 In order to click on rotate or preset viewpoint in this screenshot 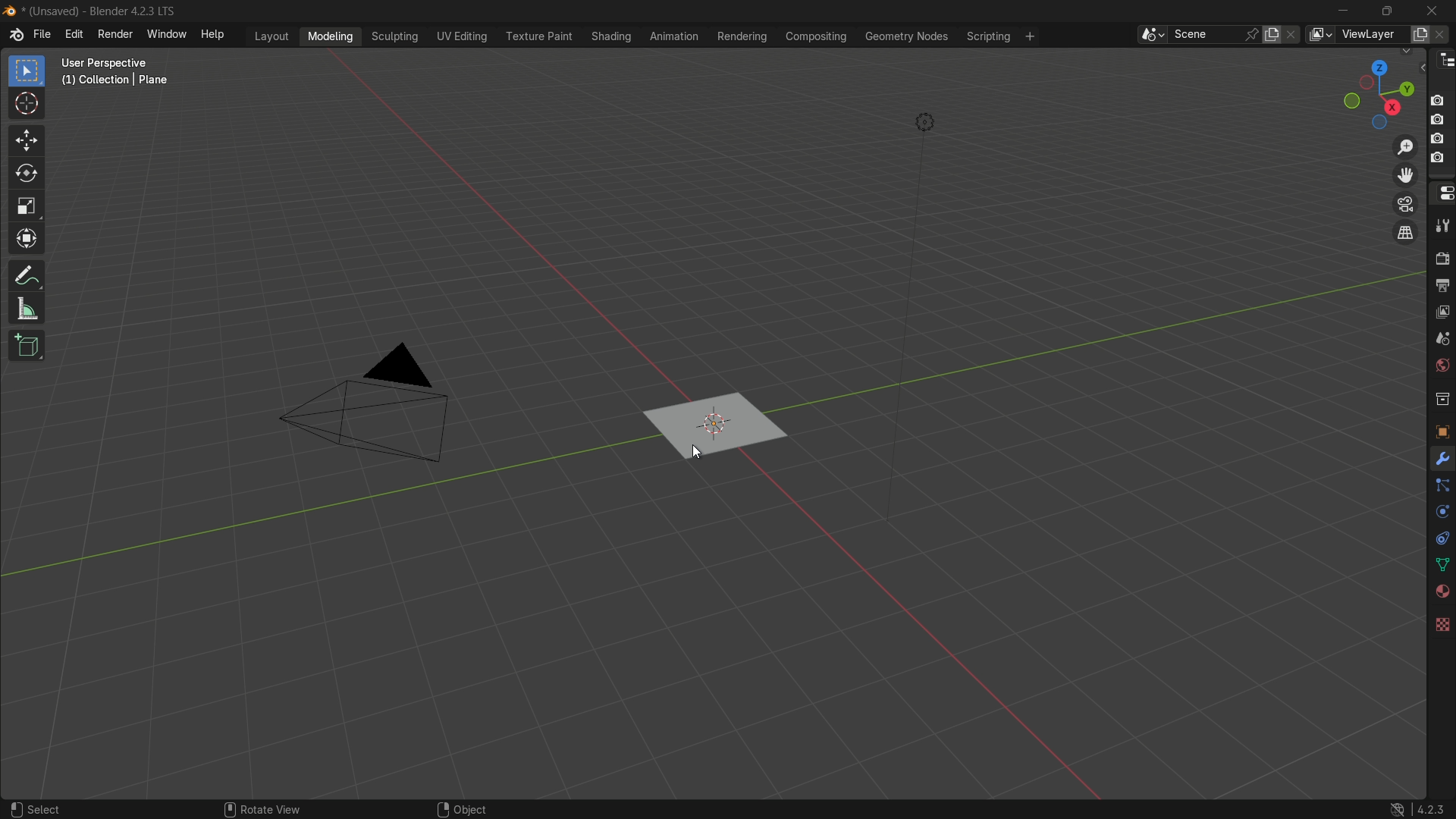, I will do `click(1379, 92)`.